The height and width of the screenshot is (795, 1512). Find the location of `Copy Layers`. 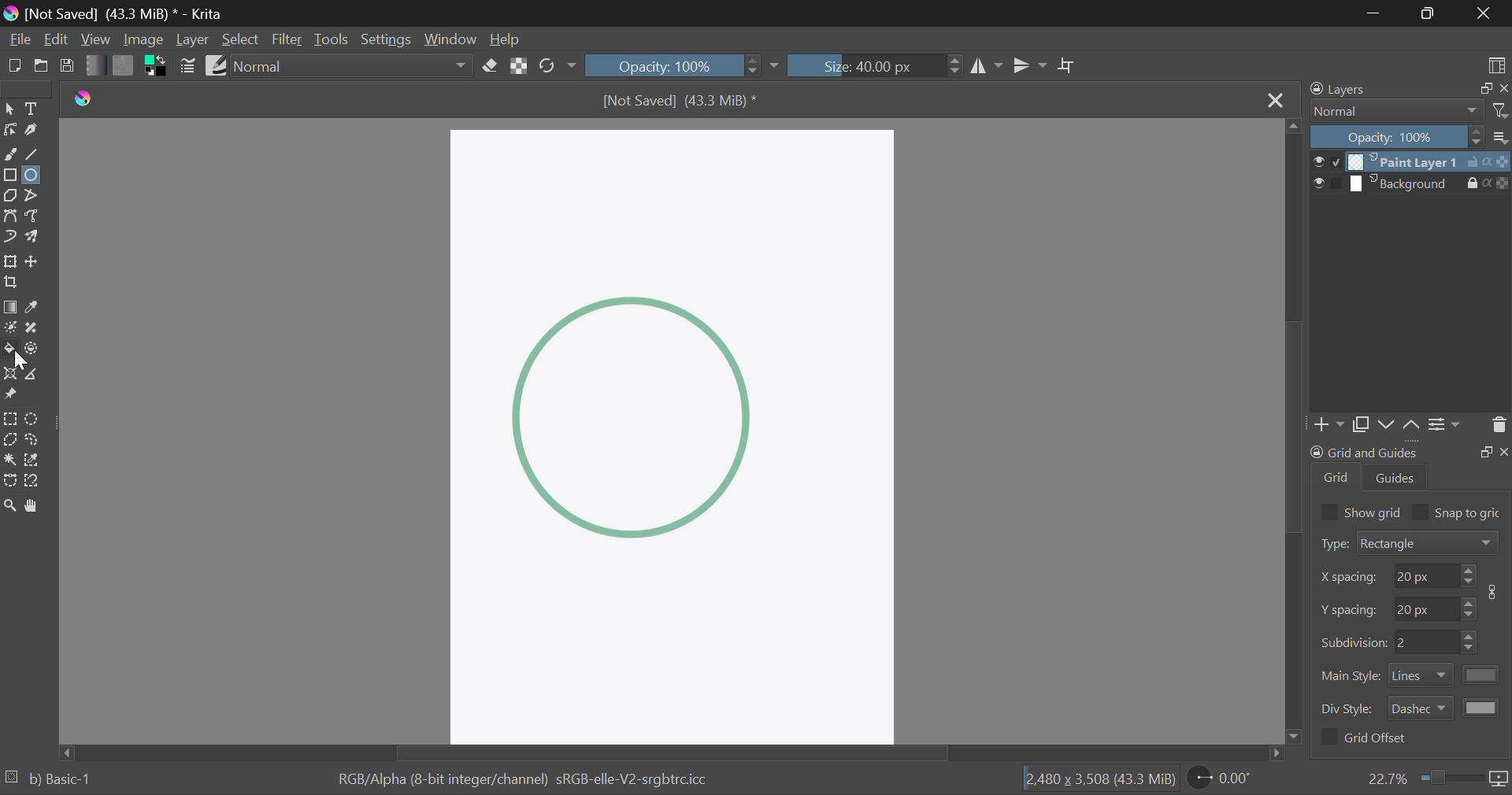

Copy Layers is located at coordinates (1362, 425).